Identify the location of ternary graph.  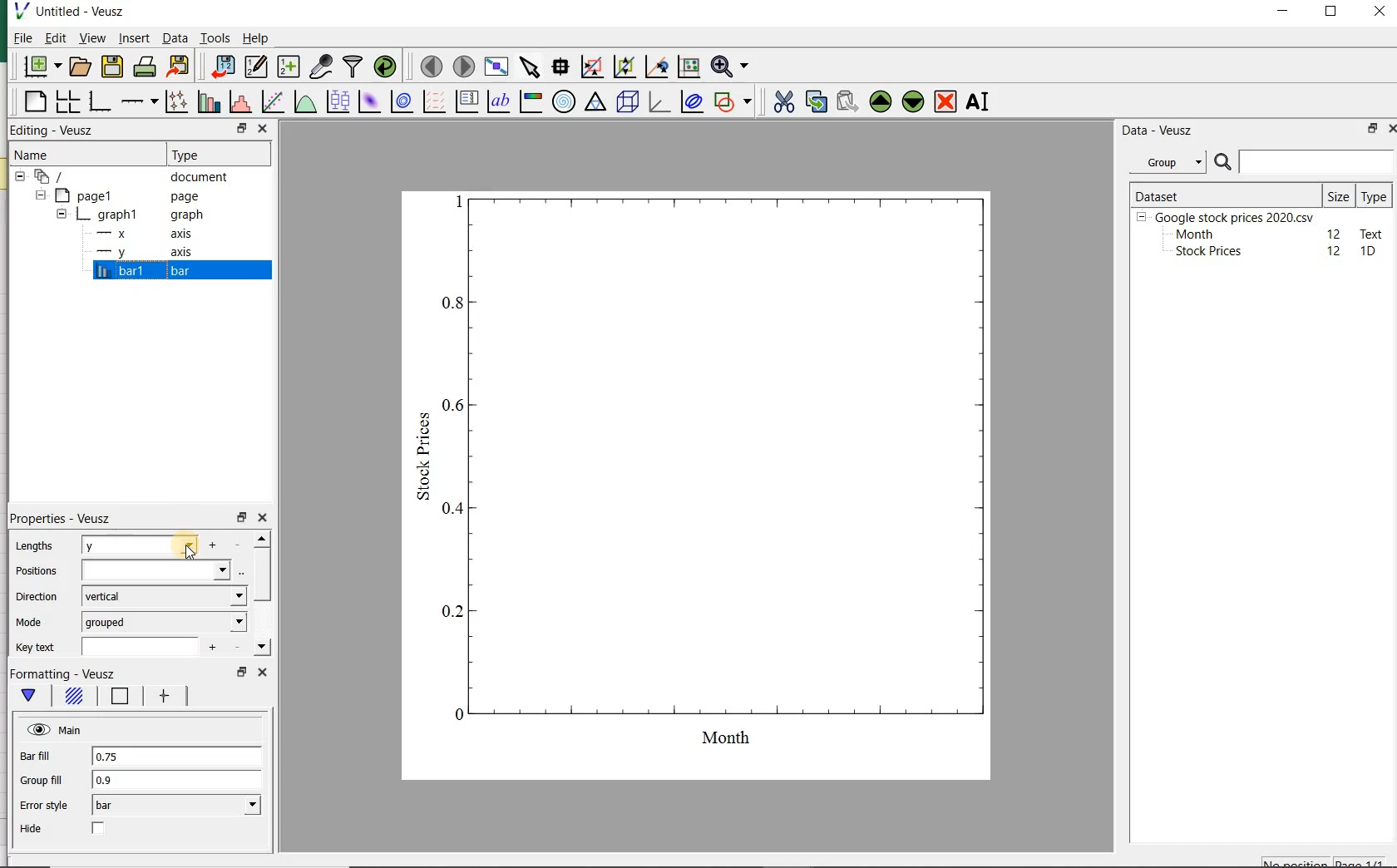
(595, 103).